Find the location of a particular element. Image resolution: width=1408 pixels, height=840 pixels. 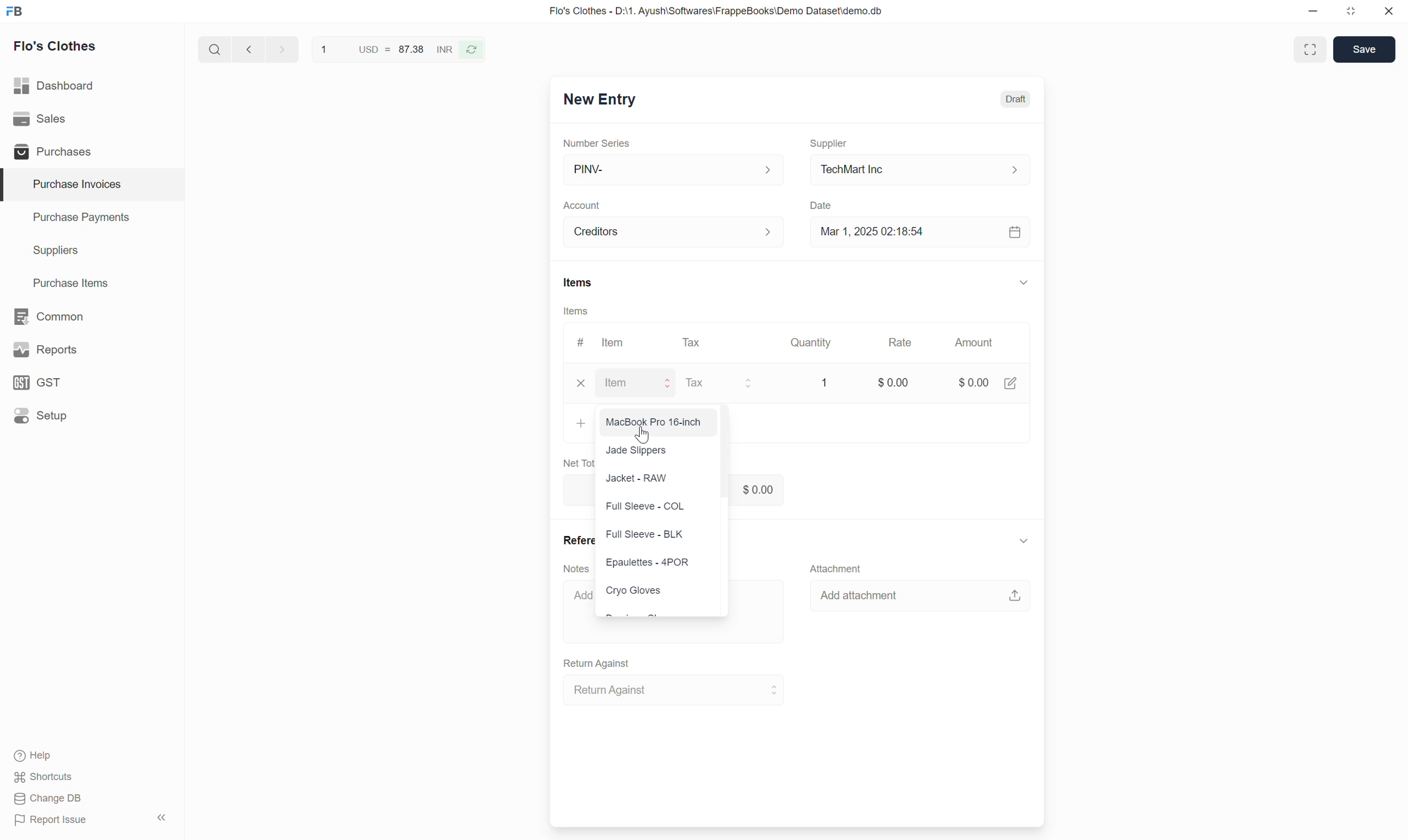

Quantity is located at coordinates (809, 342).